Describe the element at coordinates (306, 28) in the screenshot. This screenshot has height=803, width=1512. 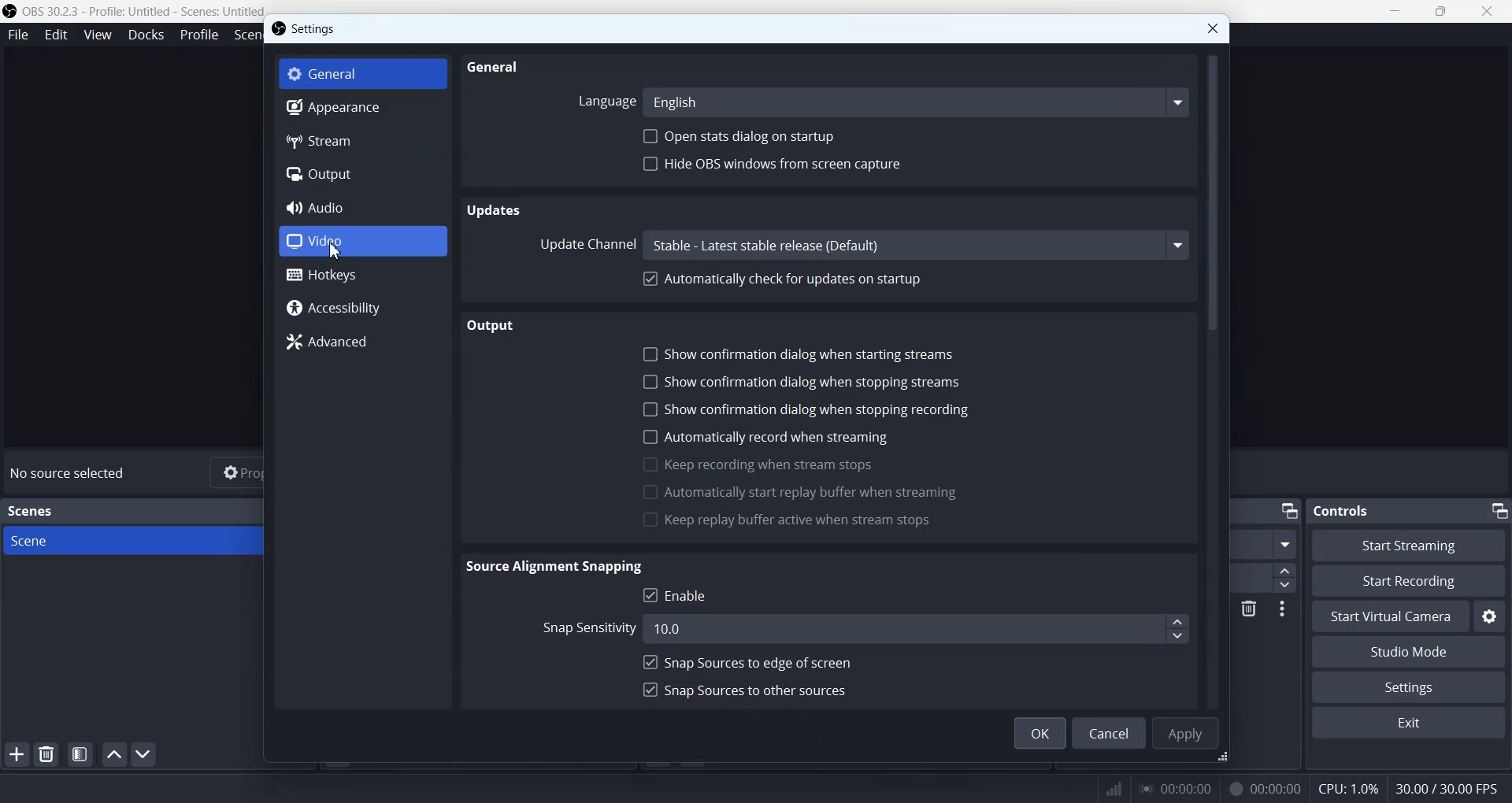
I see `Settings` at that location.